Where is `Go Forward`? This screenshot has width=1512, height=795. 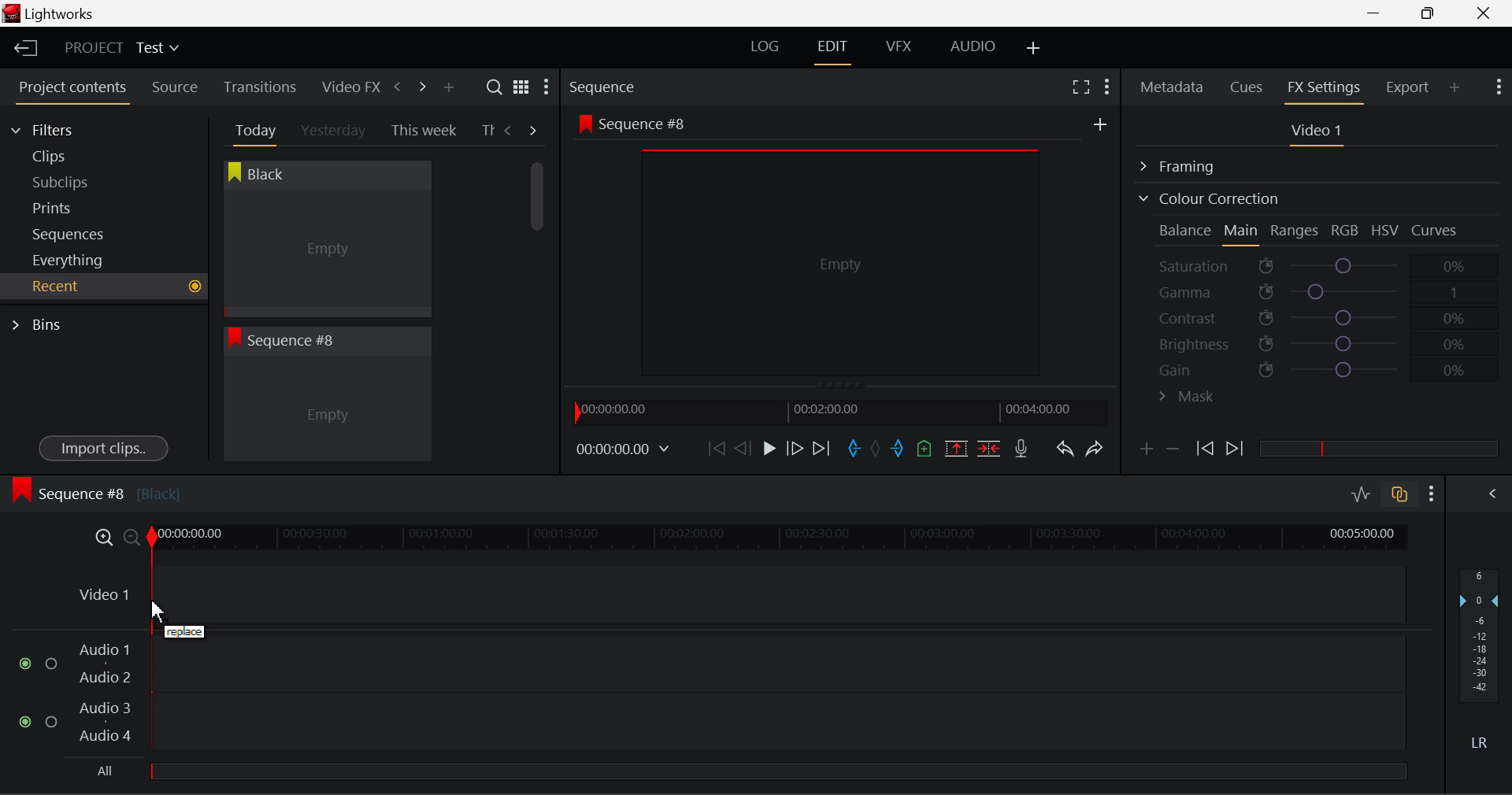
Go Forward is located at coordinates (795, 448).